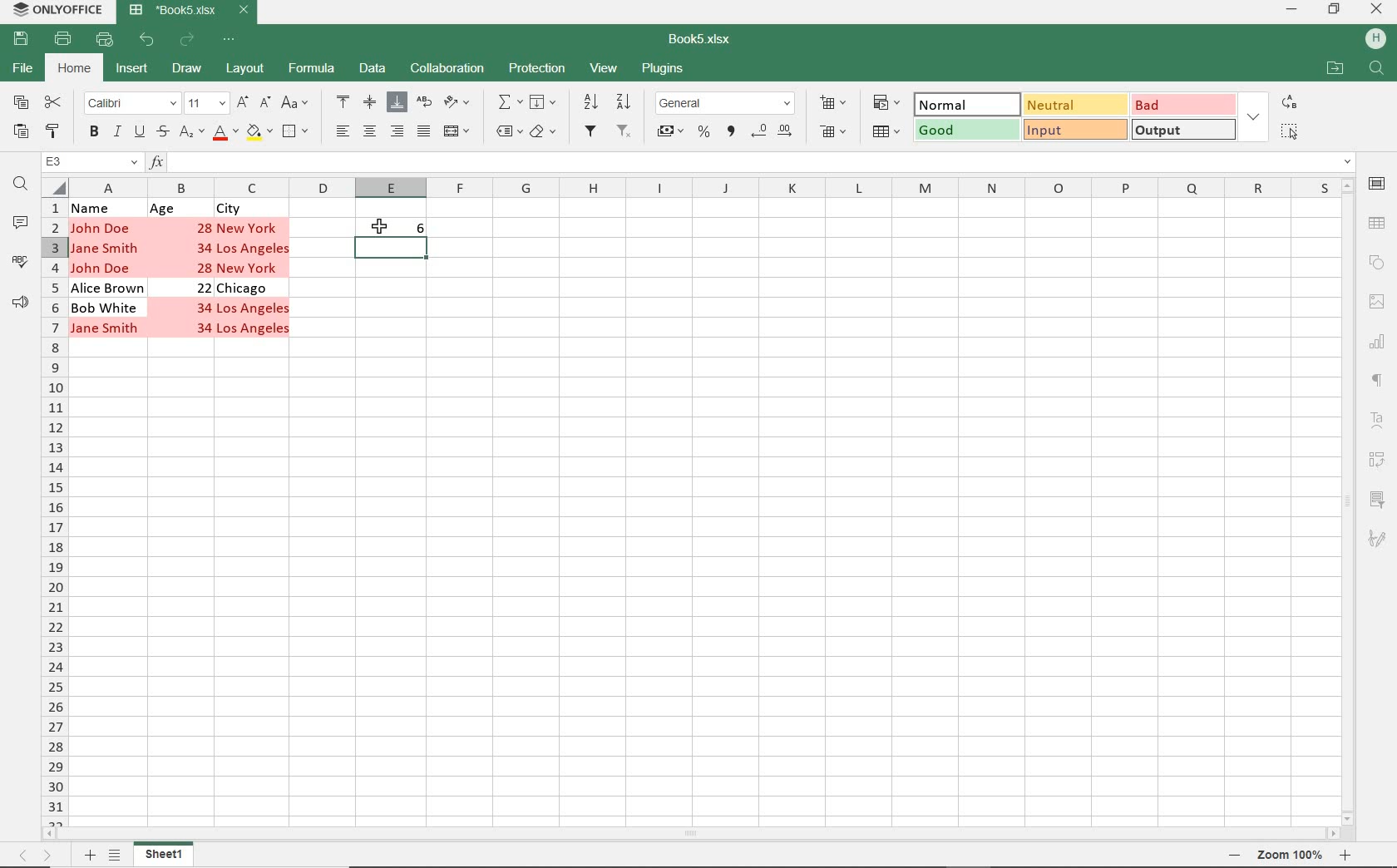 Image resolution: width=1397 pixels, height=868 pixels. What do you see at coordinates (233, 209) in the screenshot?
I see `City` at bounding box center [233, 209].